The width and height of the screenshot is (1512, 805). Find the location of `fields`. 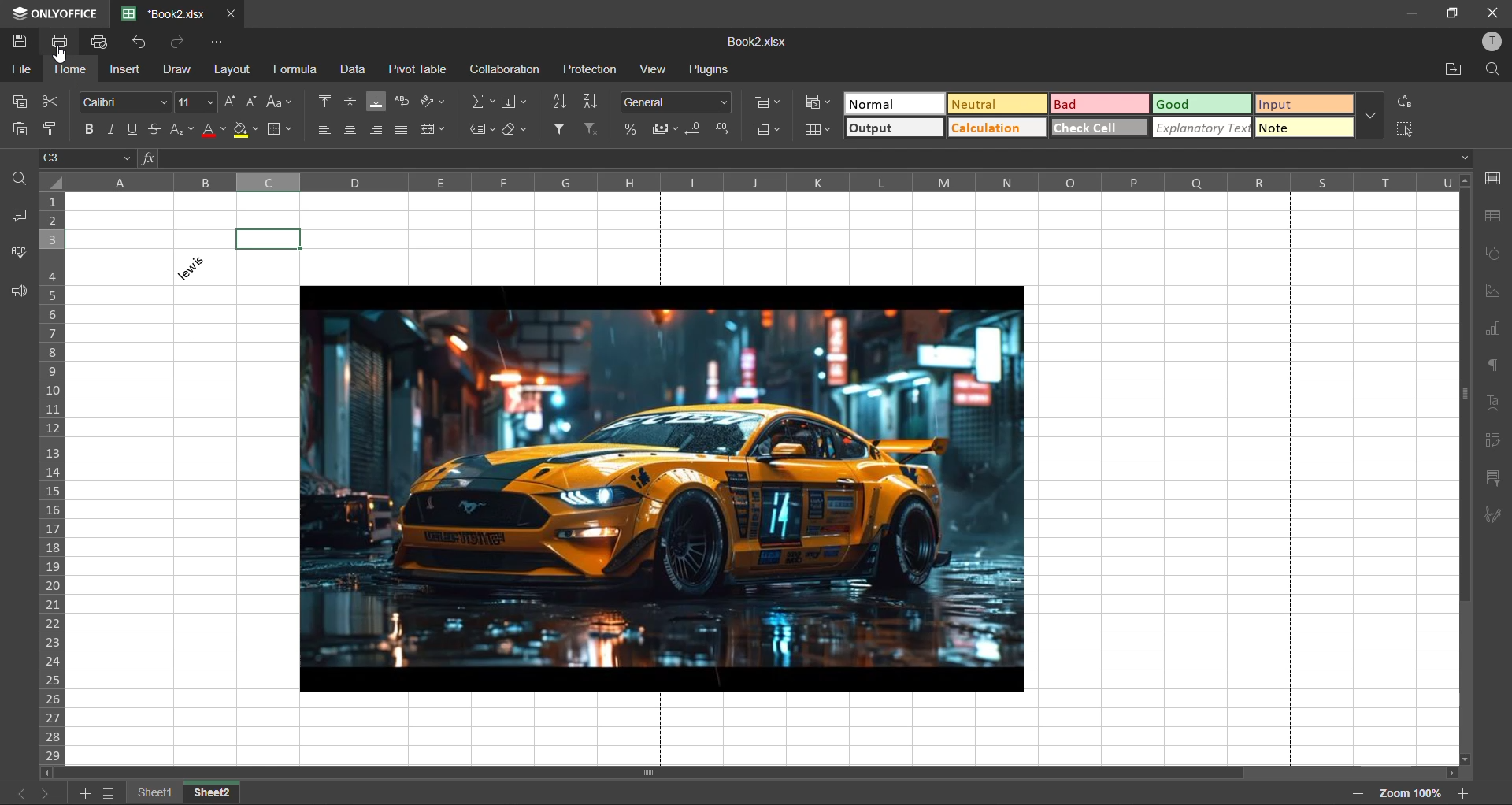

fields is located at coordinates (515, 102).